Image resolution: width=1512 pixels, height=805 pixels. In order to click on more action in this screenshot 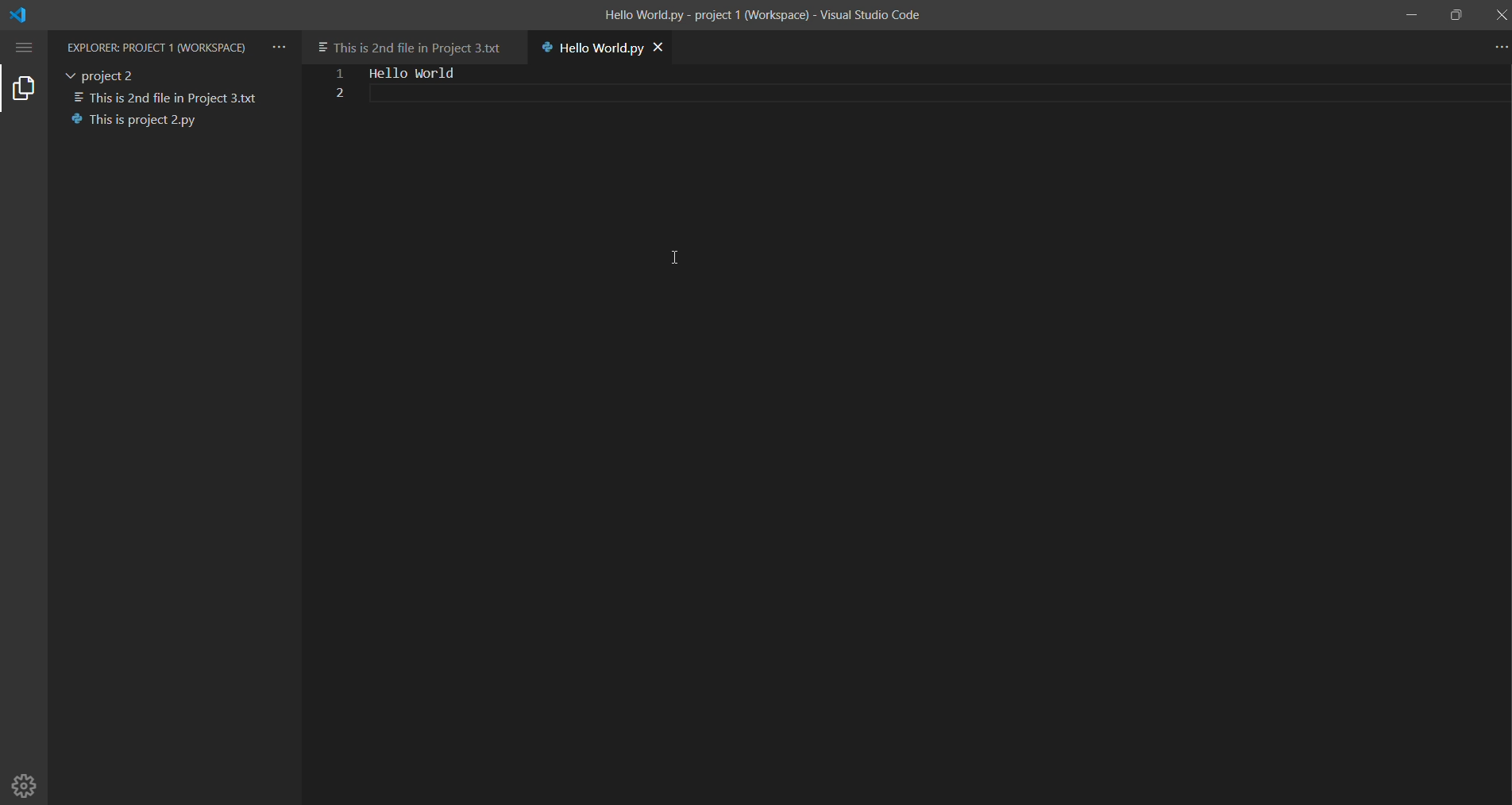, I will do `click(1498, 48)`.